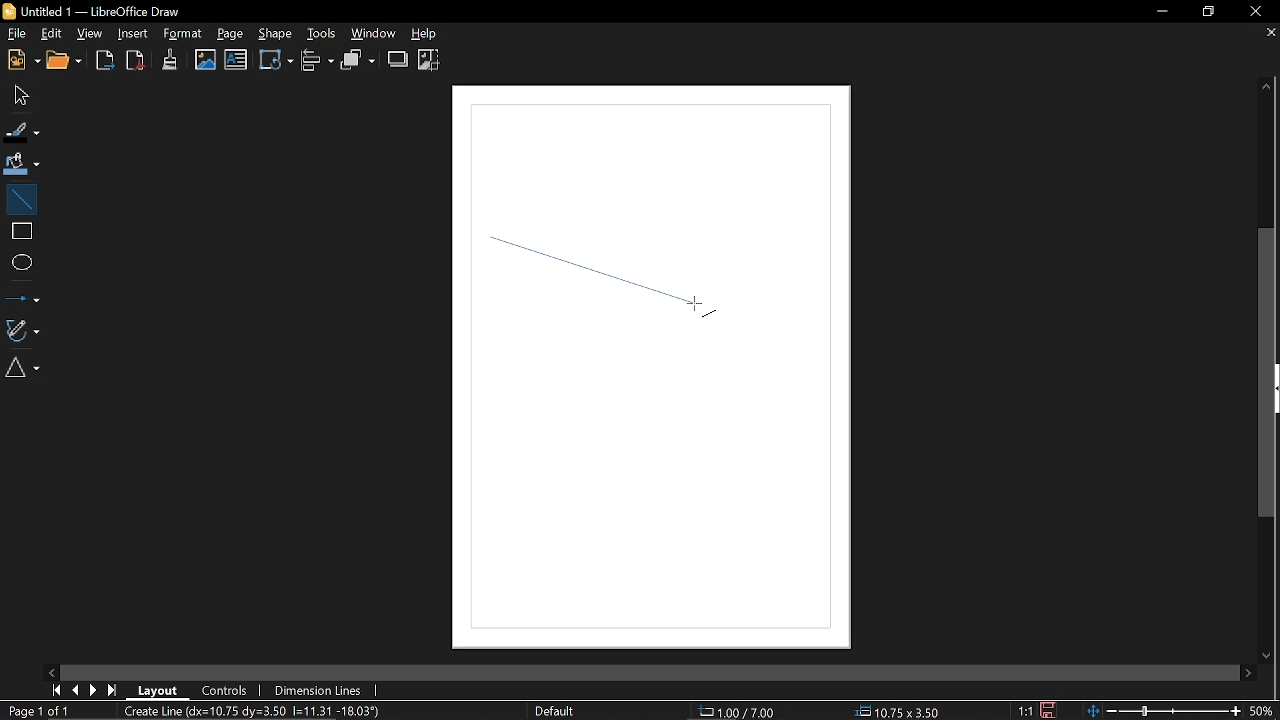 The width and height of the screenshot is (1280, 720). What do you see at coordinates (1272, 88) in the screenshot?
I see `Move up` at bounding box center [1272, 88].